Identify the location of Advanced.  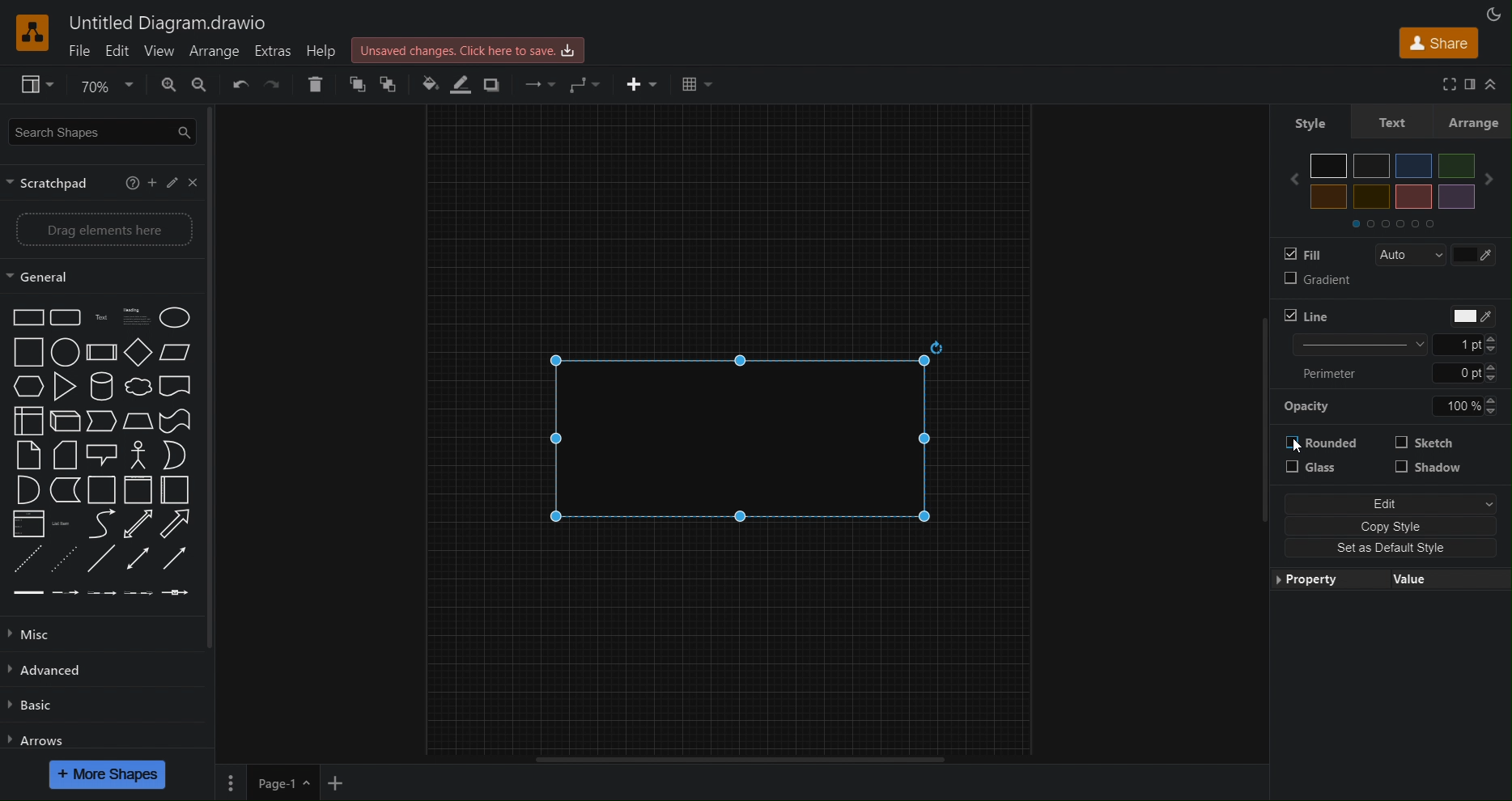
(53, 671).